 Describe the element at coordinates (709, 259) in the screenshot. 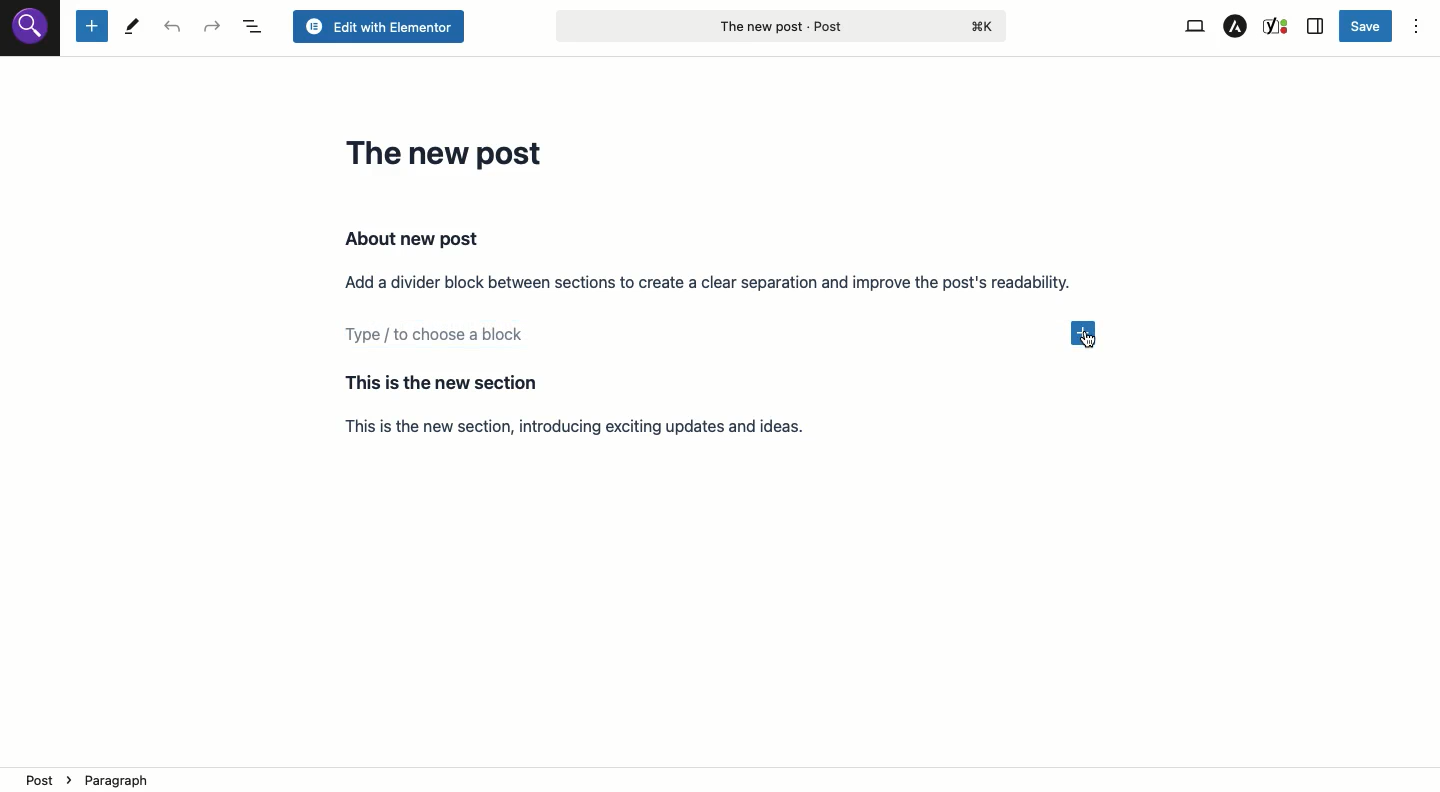

I see `Section 1` at that location.